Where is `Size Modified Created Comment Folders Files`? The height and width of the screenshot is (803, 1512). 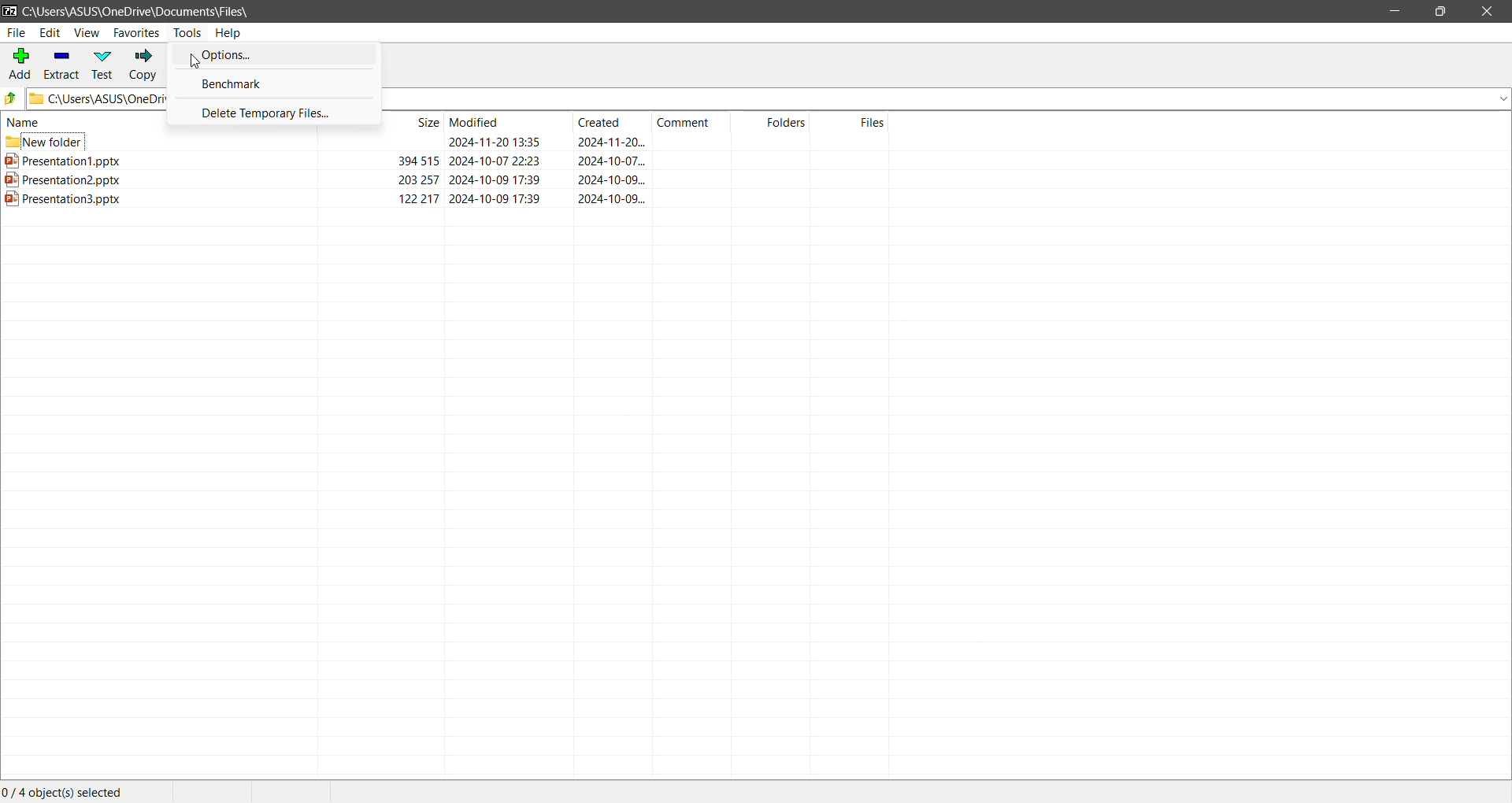
Size Modified Created Comment Folders Files is located at coordinates (646, 119).